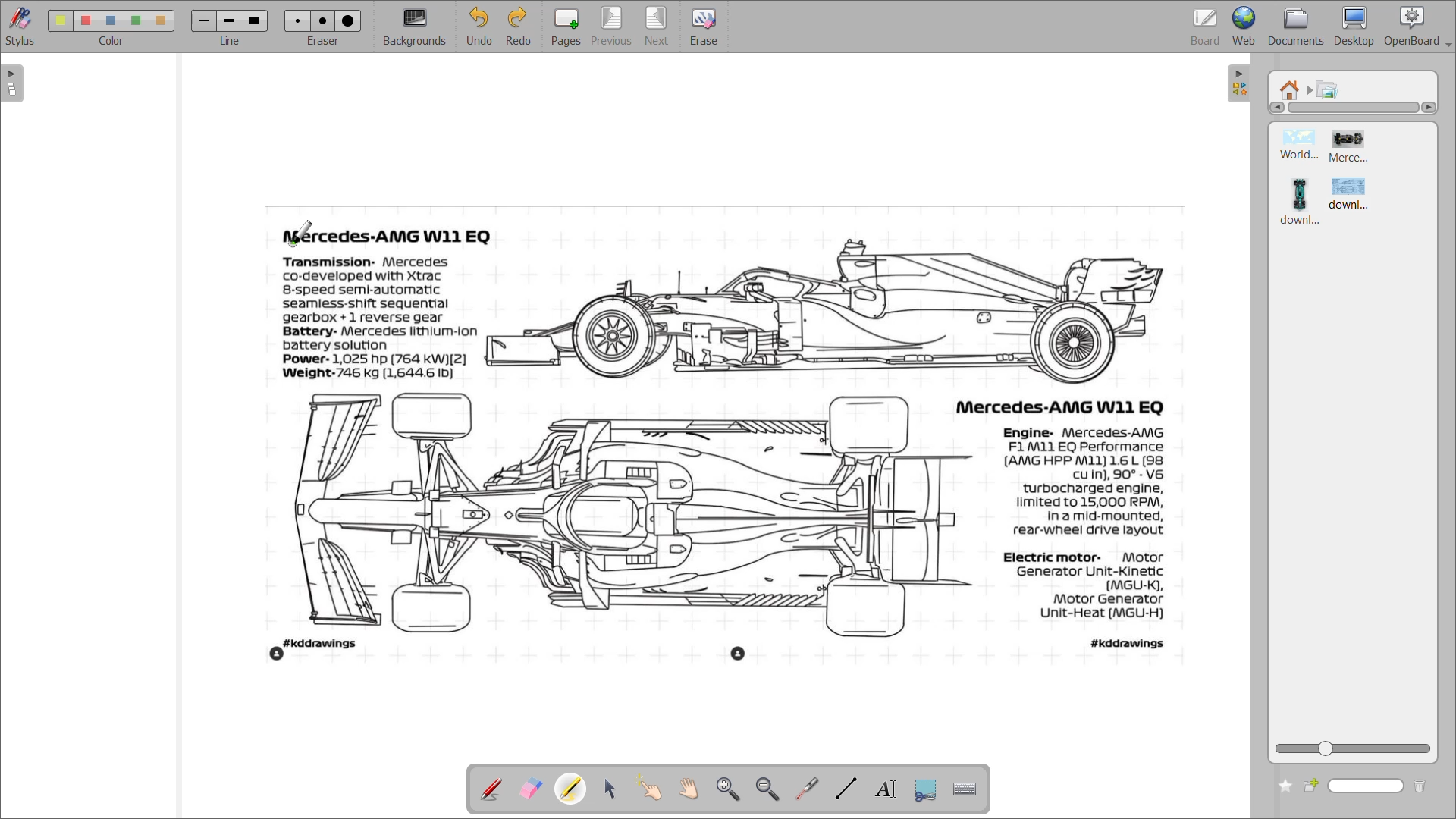  I want to click on desktop, so click(1358, 27).